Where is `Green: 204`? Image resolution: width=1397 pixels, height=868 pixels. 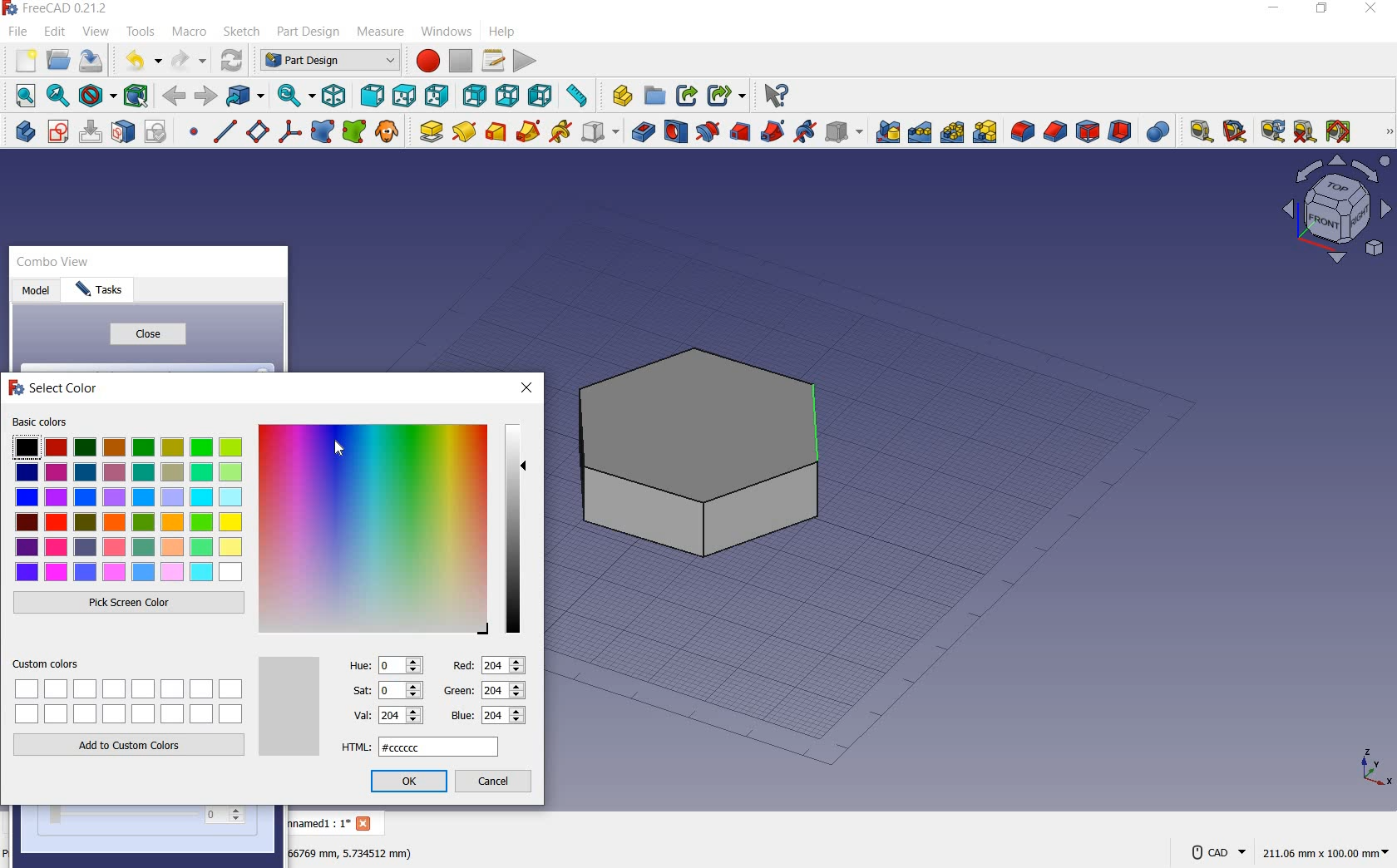
Green: 204 is located at coordinates (483, 689).